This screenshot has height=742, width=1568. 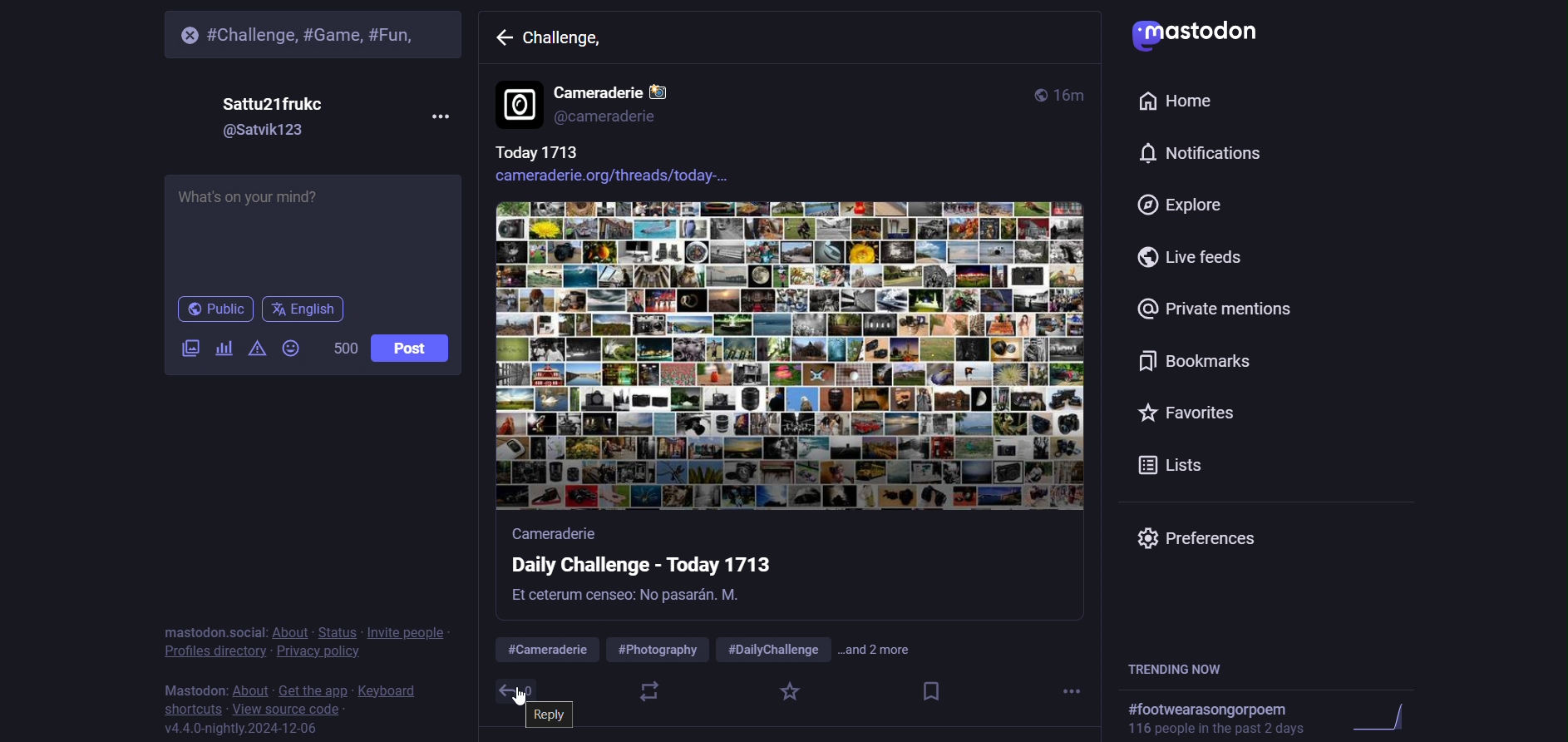 What do you see at coordinates (1036, 92) in the screenshot?
I see `public` at bounding box center [1036, 92].